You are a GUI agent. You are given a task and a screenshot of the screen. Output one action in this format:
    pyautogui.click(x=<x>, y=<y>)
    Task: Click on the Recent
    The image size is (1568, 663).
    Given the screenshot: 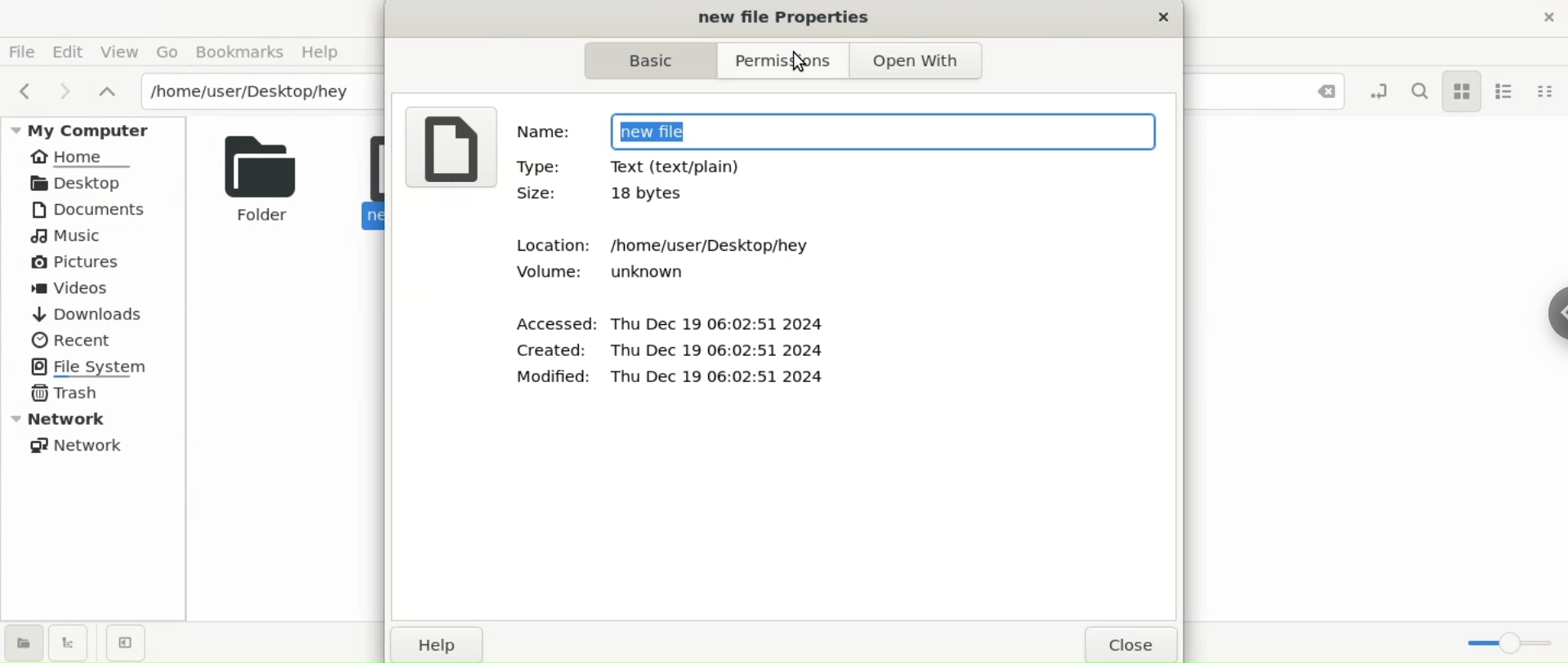 What is the action you would take?
    pyautogui.click(x=71, y=338)
    